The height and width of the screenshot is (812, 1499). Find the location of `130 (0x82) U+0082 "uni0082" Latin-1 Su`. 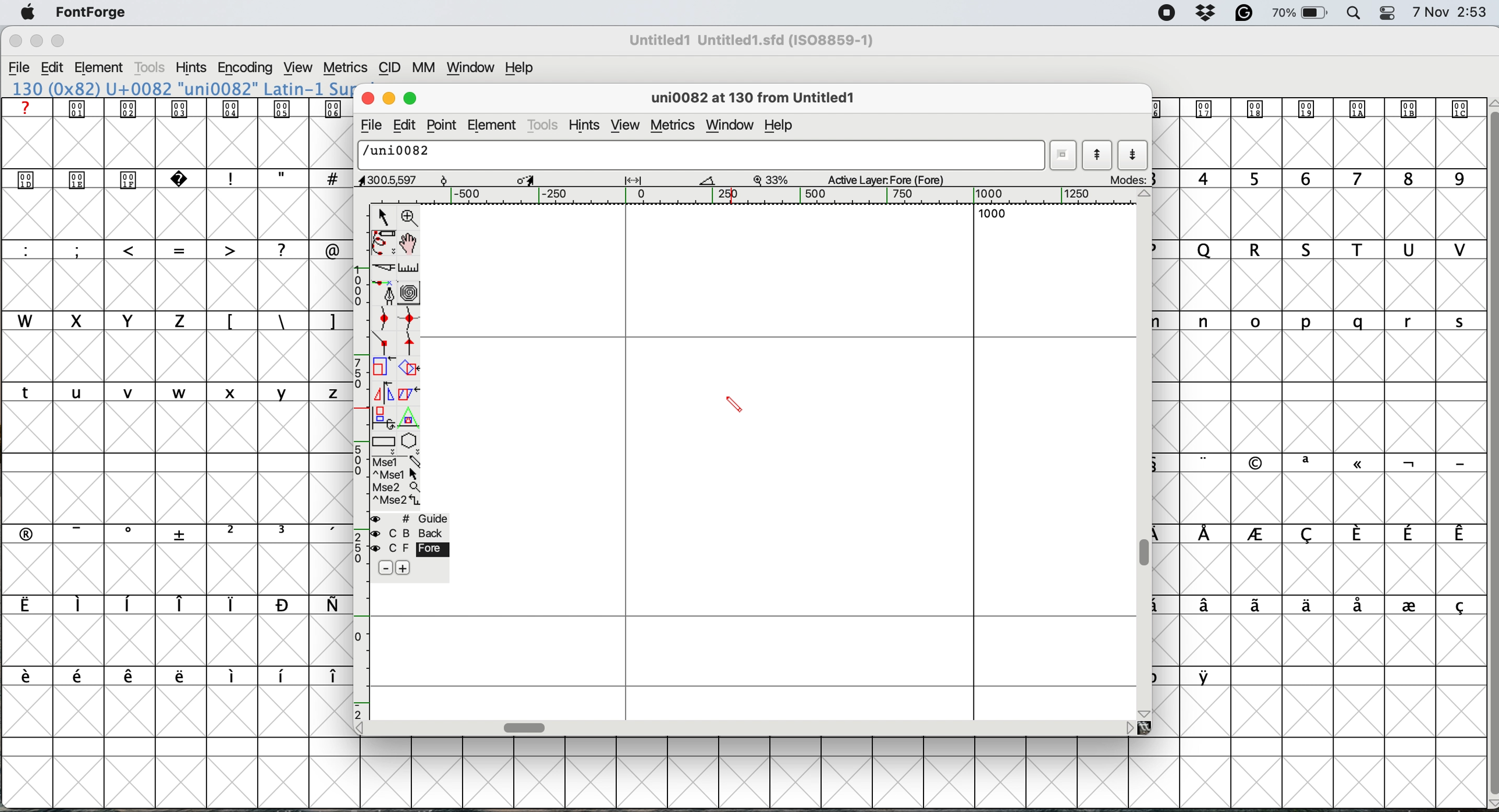

130 (0x82) U+0082 "uni0082" Latin-1 Su is located at coordinates (182, 88).